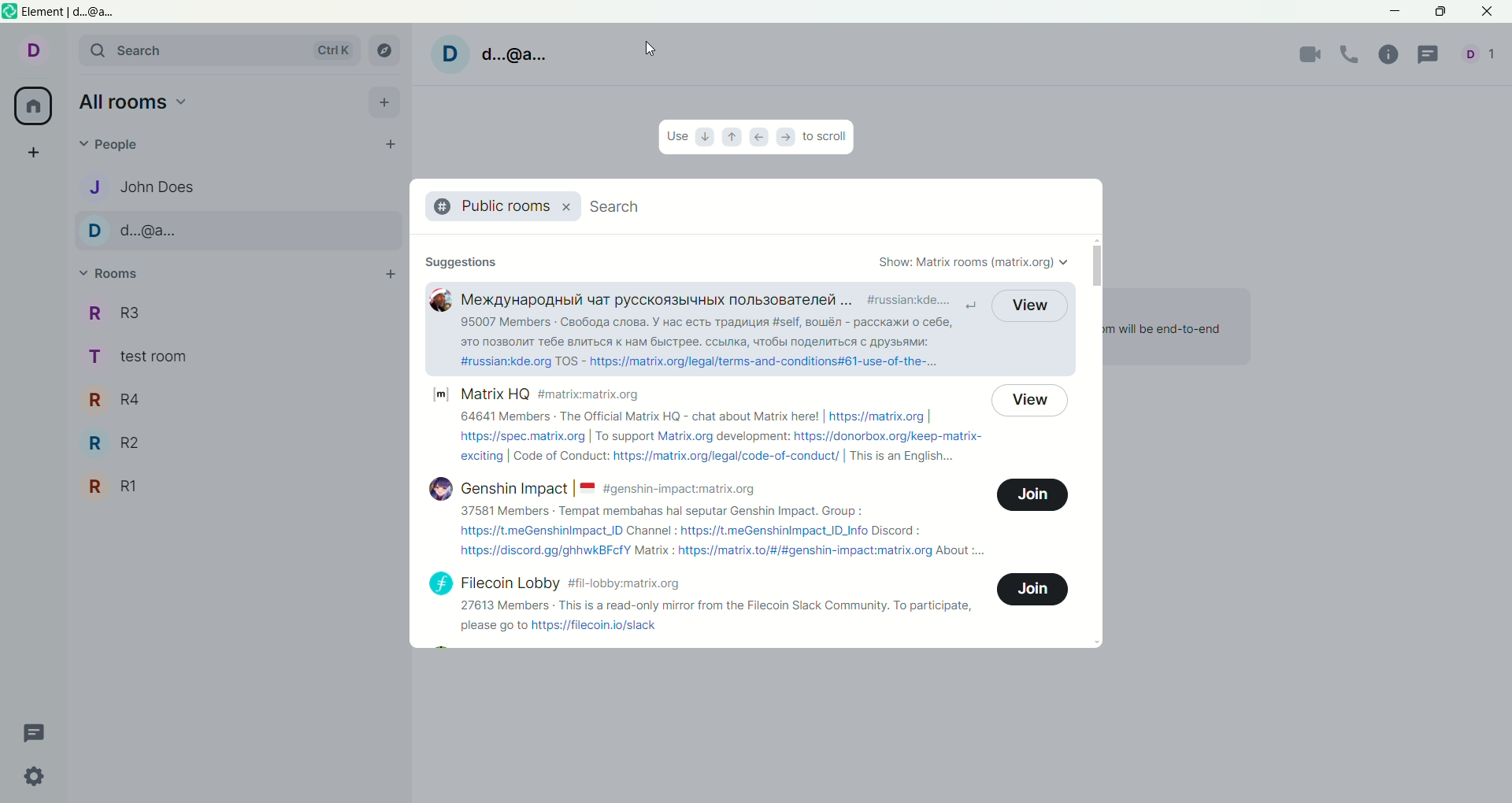 The height and width of the screenshot is (803, 1512). What do you see at coordinates (36, 776) in the screenshot?
I see `quick settings` at bounding box center [36, 776].